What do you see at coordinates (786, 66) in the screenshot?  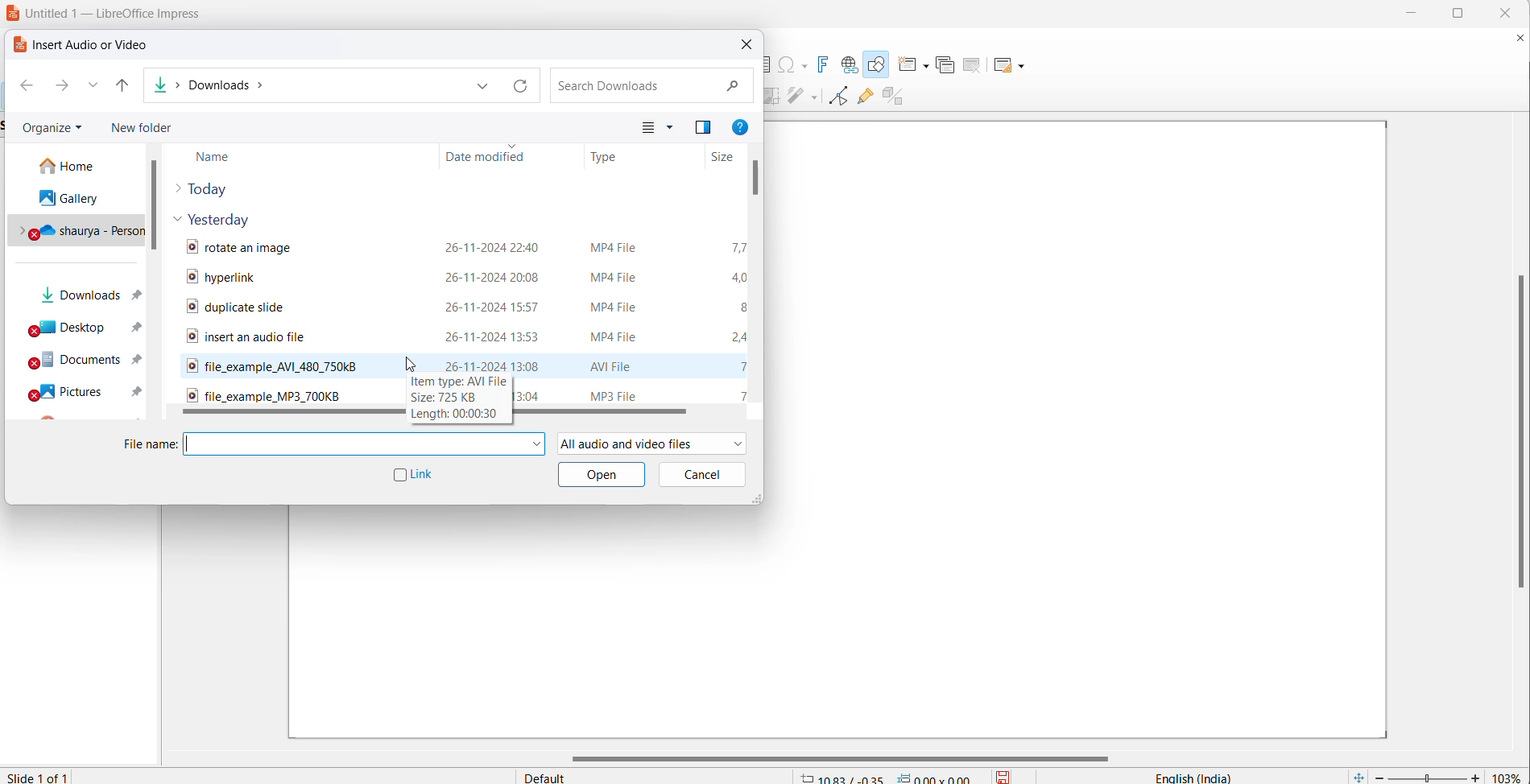 I see `insert special characters` at bounding box center [786, 66].